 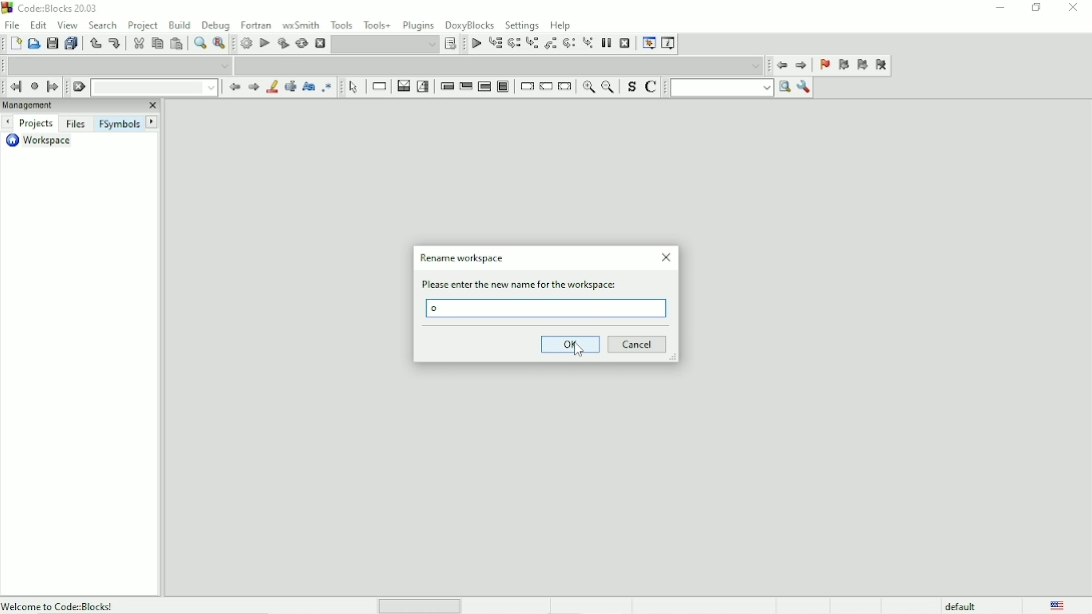 What do you see at coordinates (118, 124) in the screenshot?
I see `FSymbols` at bounding box center [118, 124].